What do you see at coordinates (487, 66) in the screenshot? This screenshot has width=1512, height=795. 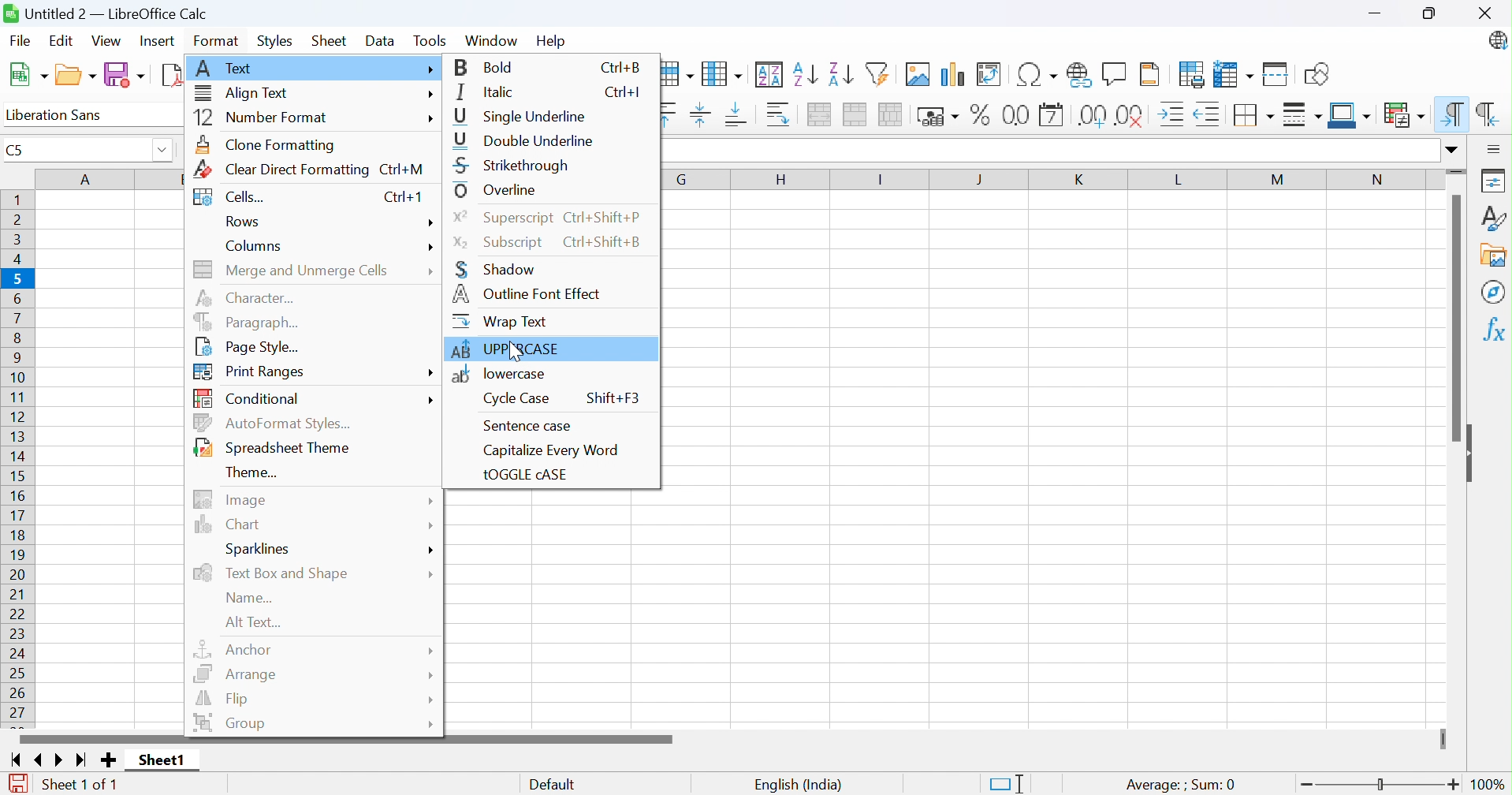 I see `Bold` at bounding box center [487, 66].